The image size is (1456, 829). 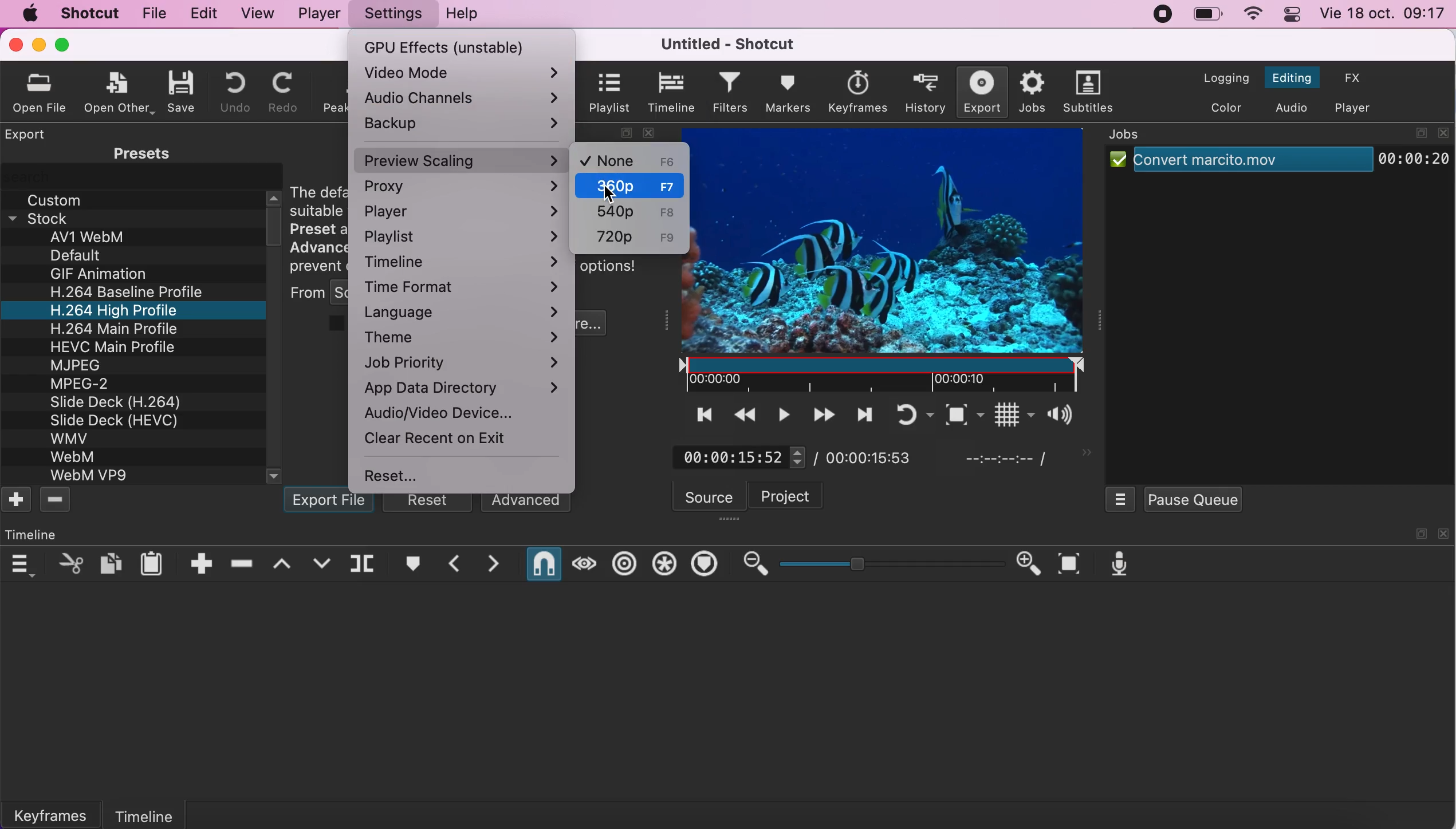 What do you see at coordinates (58, 814) in the screenshot?
I see `keyframes` at bounding box center [58, 814].